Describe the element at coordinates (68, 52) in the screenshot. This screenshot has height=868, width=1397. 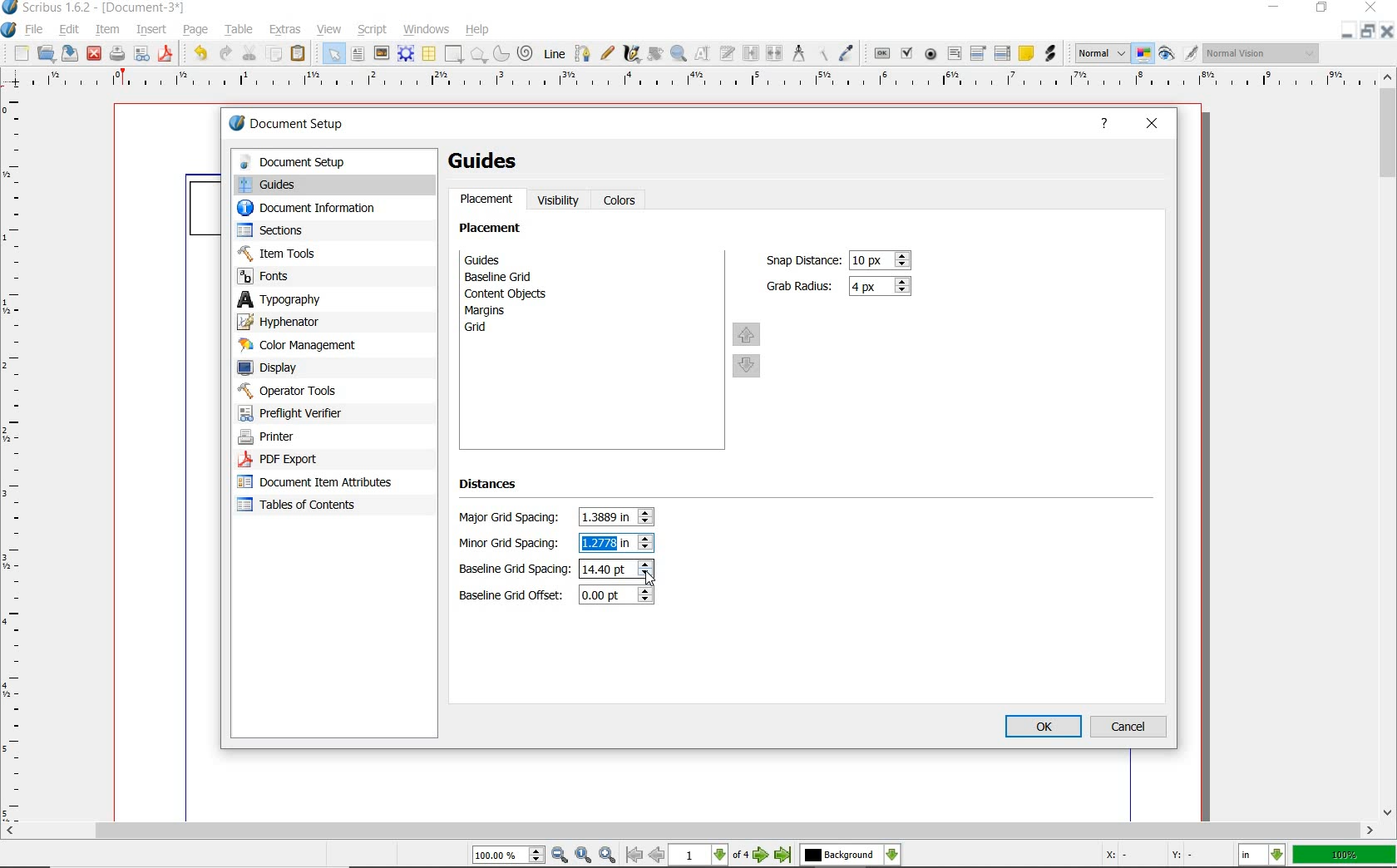
I see `save` at that location.